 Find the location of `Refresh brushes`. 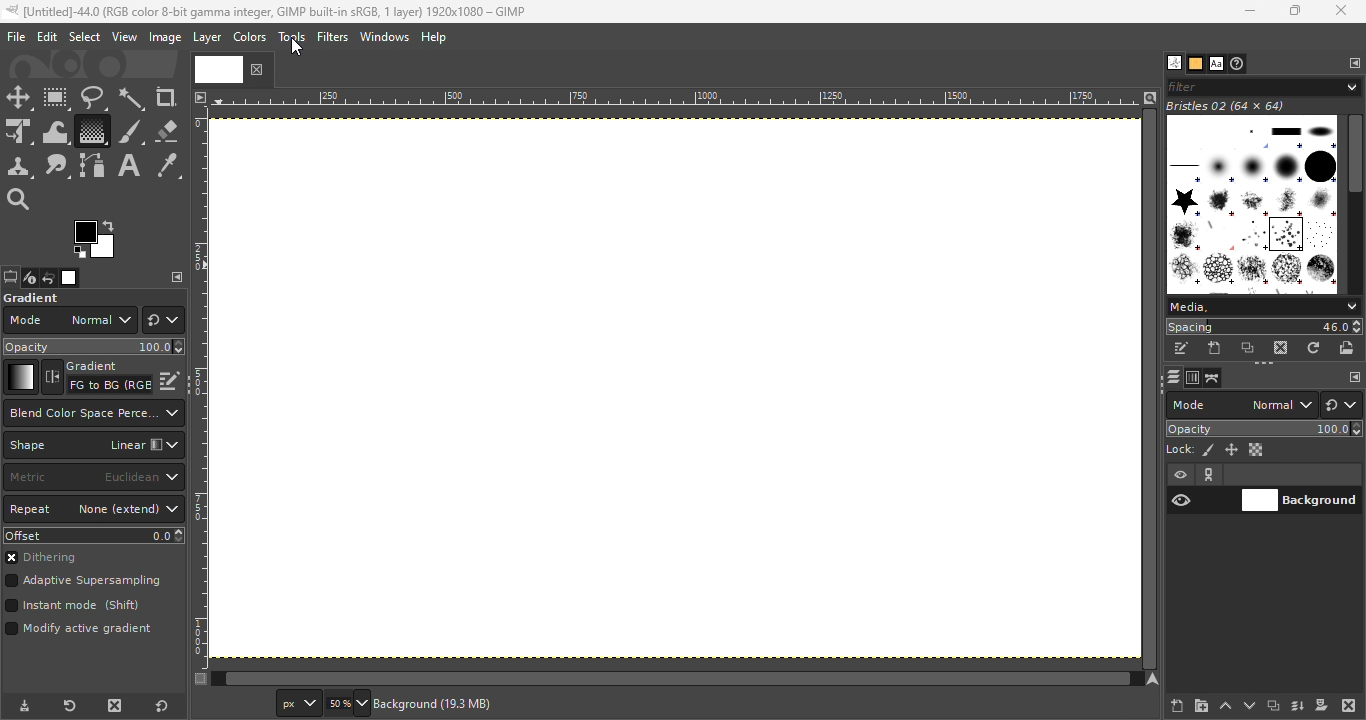

Refresh brushes is located at coordinates (1314, 348).